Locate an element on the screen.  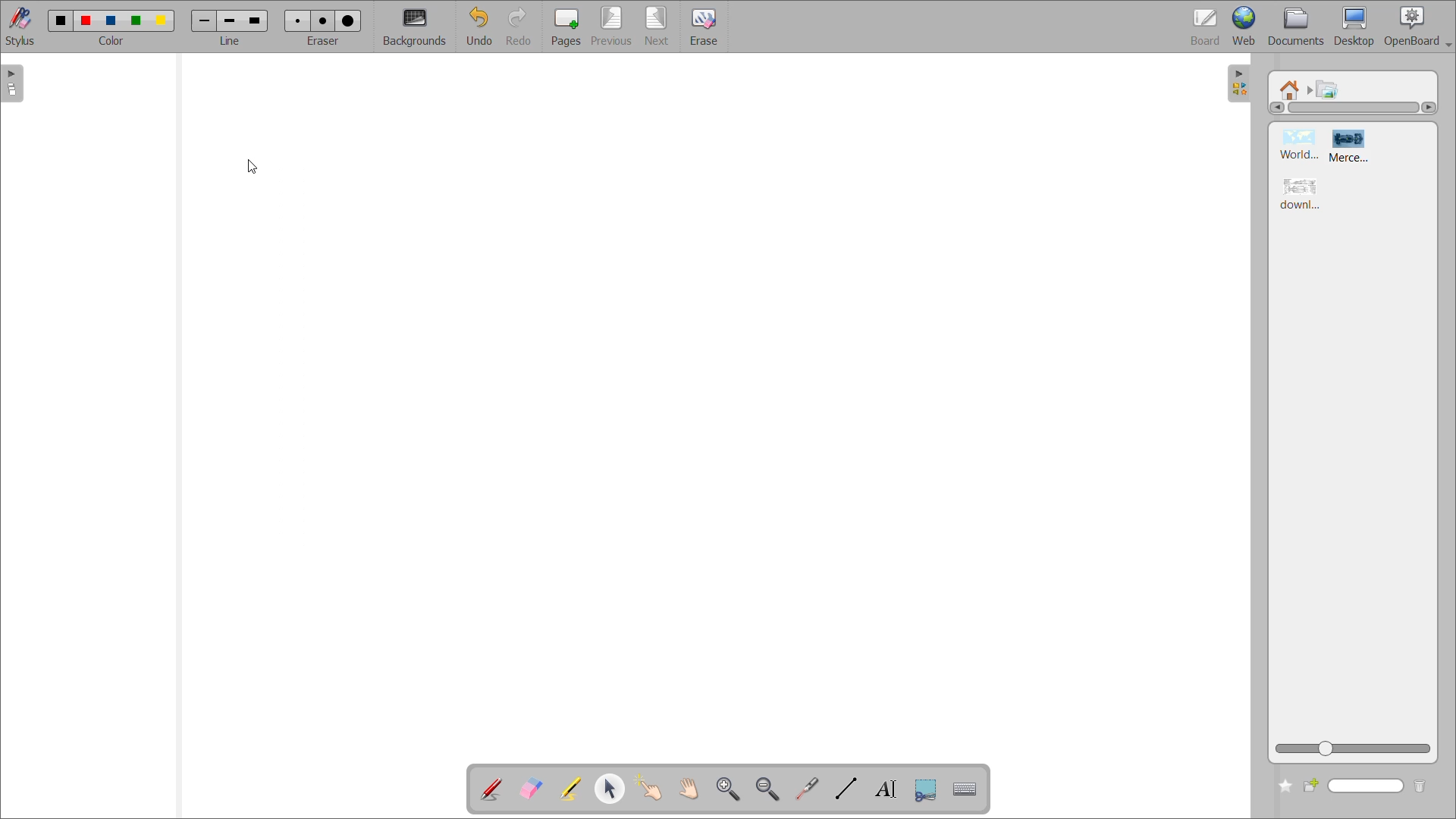
highlight is located at coordinates (572, 789).